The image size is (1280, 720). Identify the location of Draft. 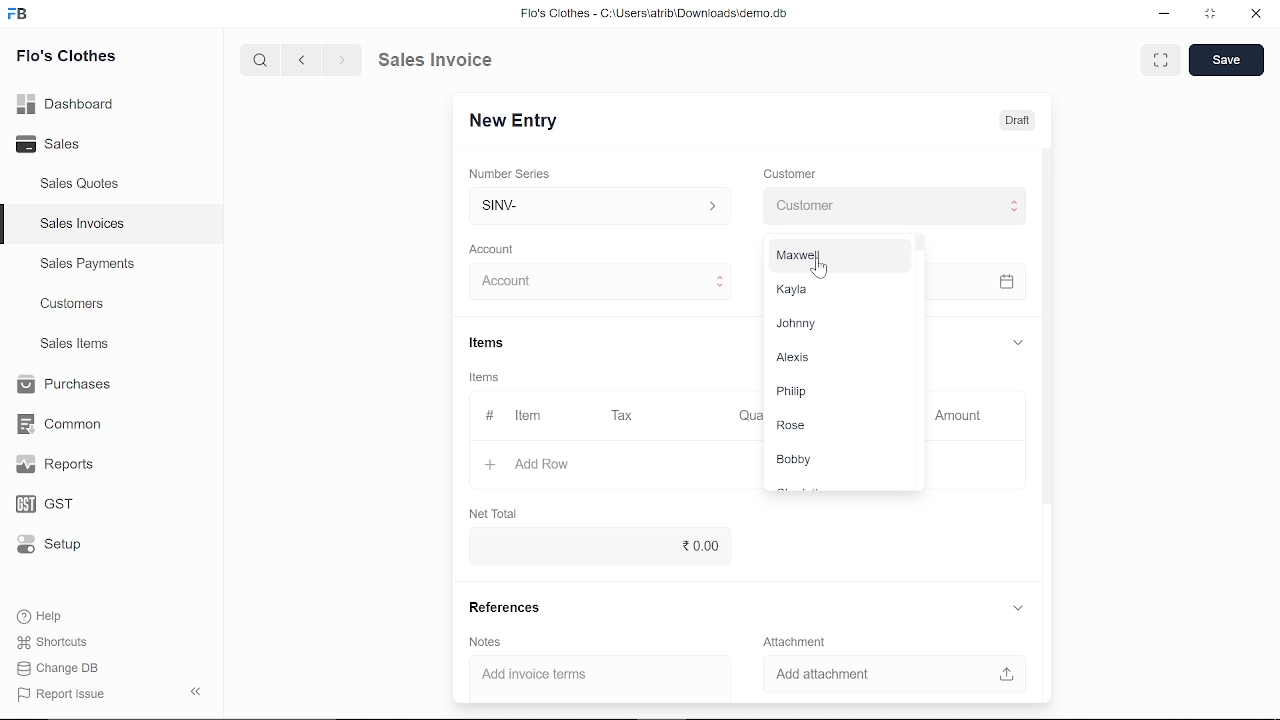
(1006, 119).